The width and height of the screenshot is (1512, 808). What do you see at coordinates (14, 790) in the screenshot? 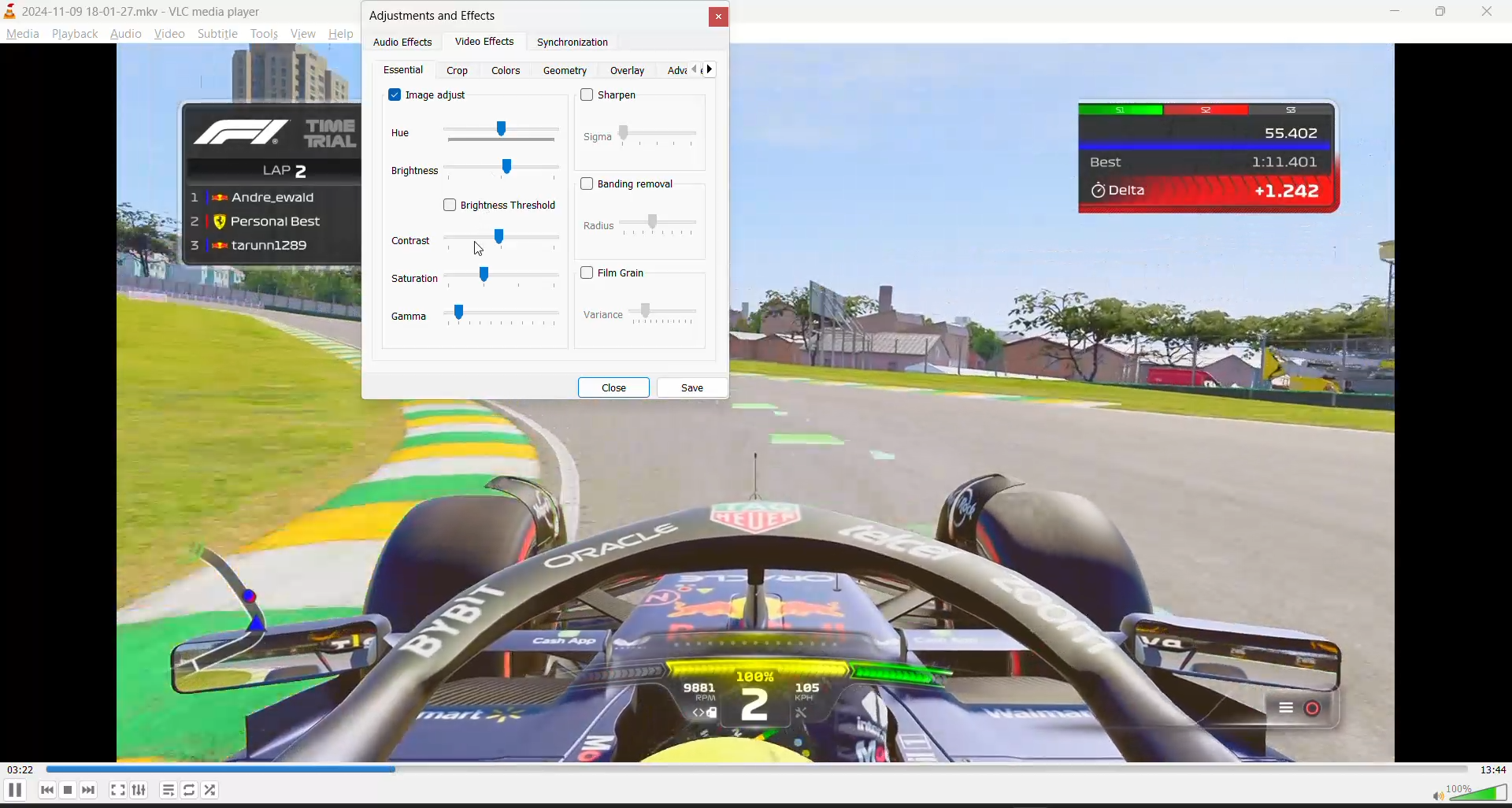
I see `pause` at bounding box center [14, 790].